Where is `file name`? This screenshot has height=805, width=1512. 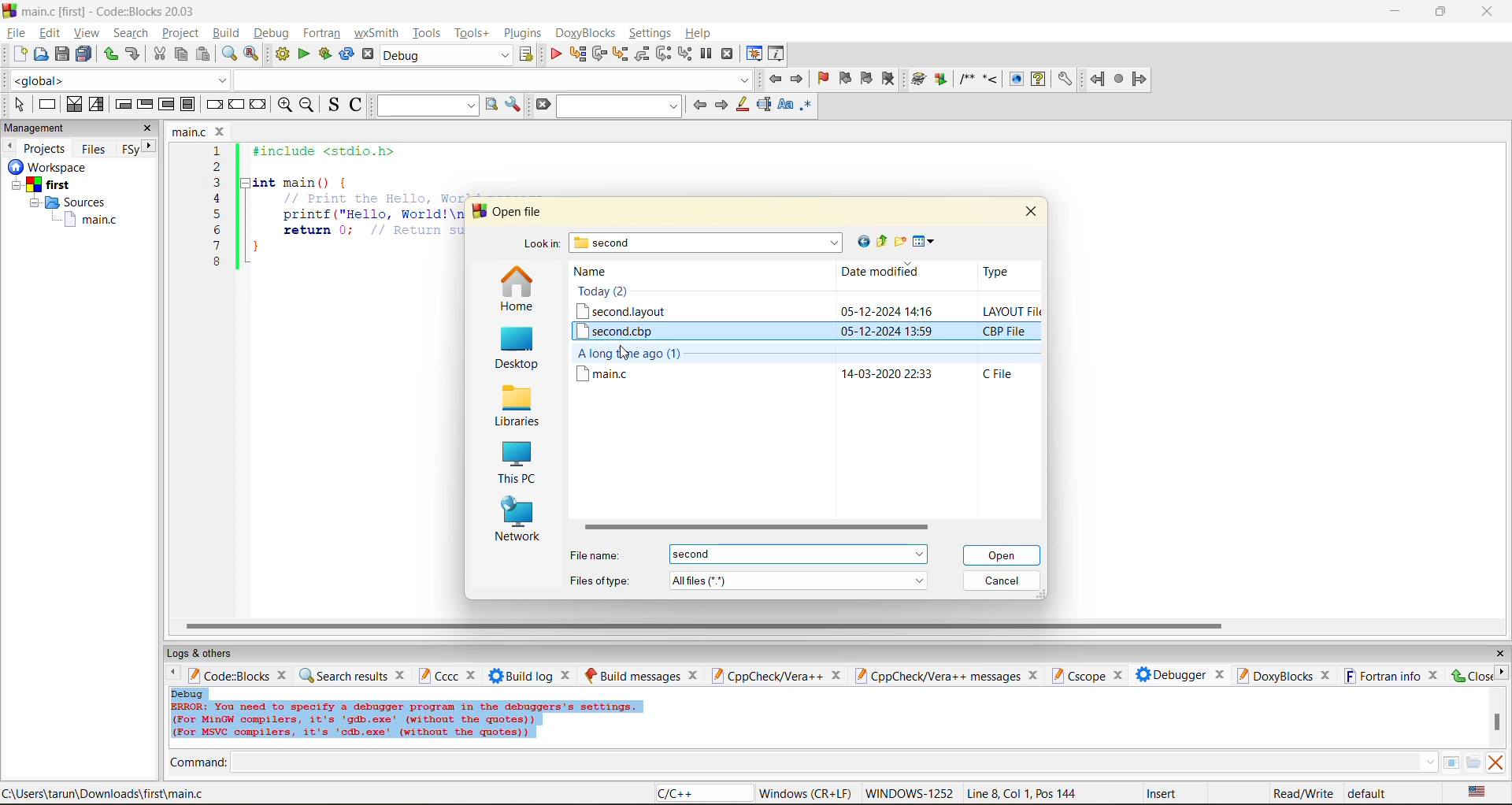
file name is located at coordinates (191, 132).